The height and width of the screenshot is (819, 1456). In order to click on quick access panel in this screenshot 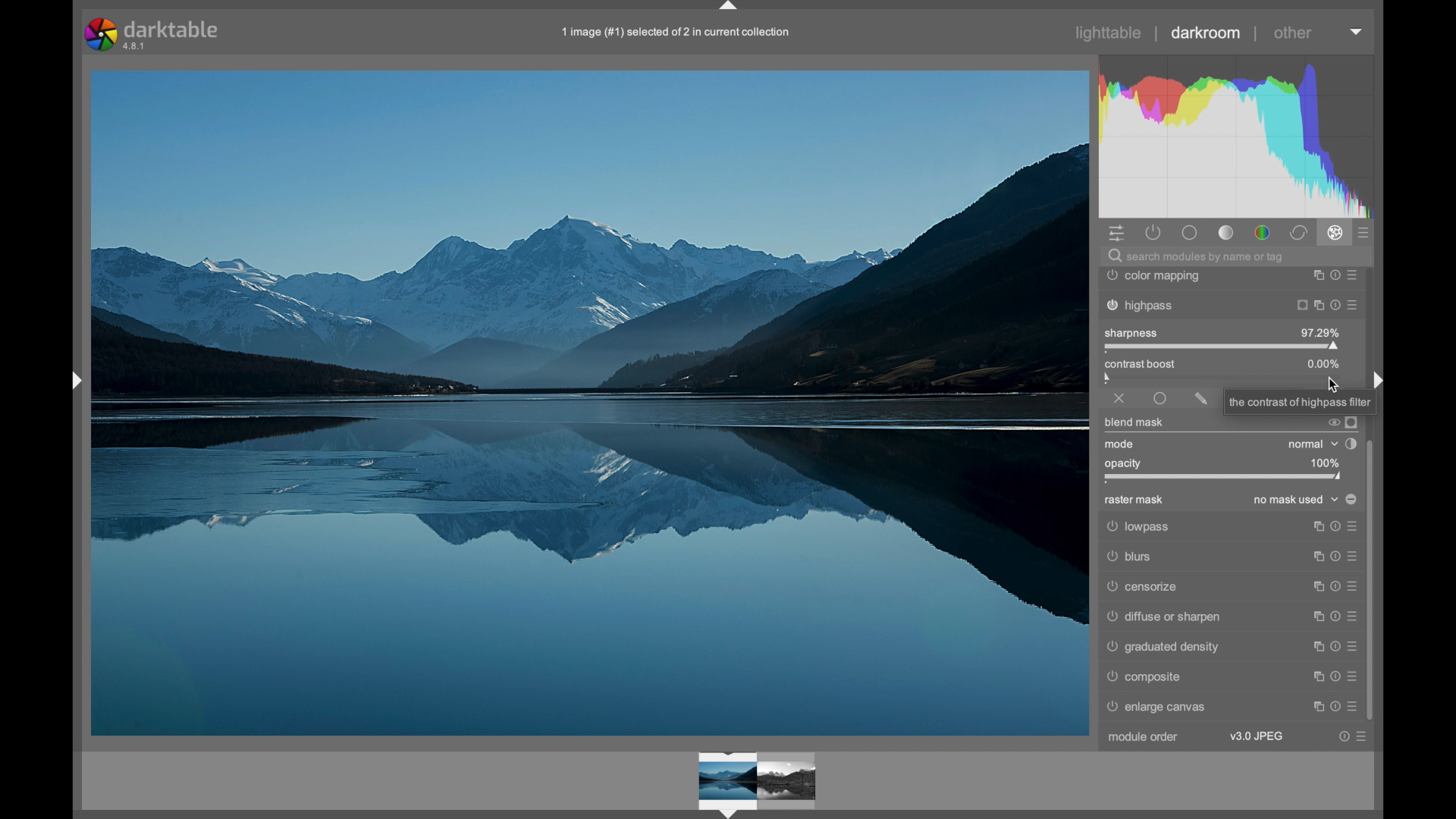, I will do `click(1119, 234)`.